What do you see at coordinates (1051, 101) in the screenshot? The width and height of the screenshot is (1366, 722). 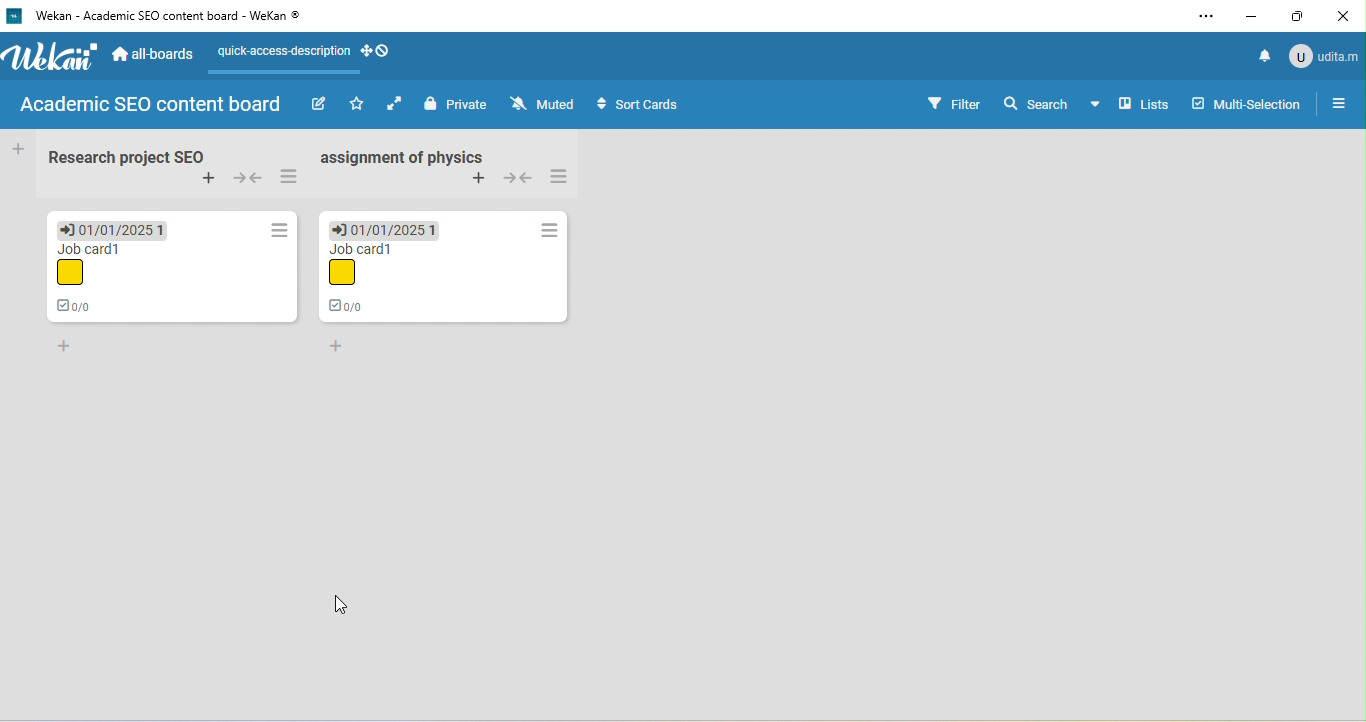 I see `search` at bounding box center [1051, 101].